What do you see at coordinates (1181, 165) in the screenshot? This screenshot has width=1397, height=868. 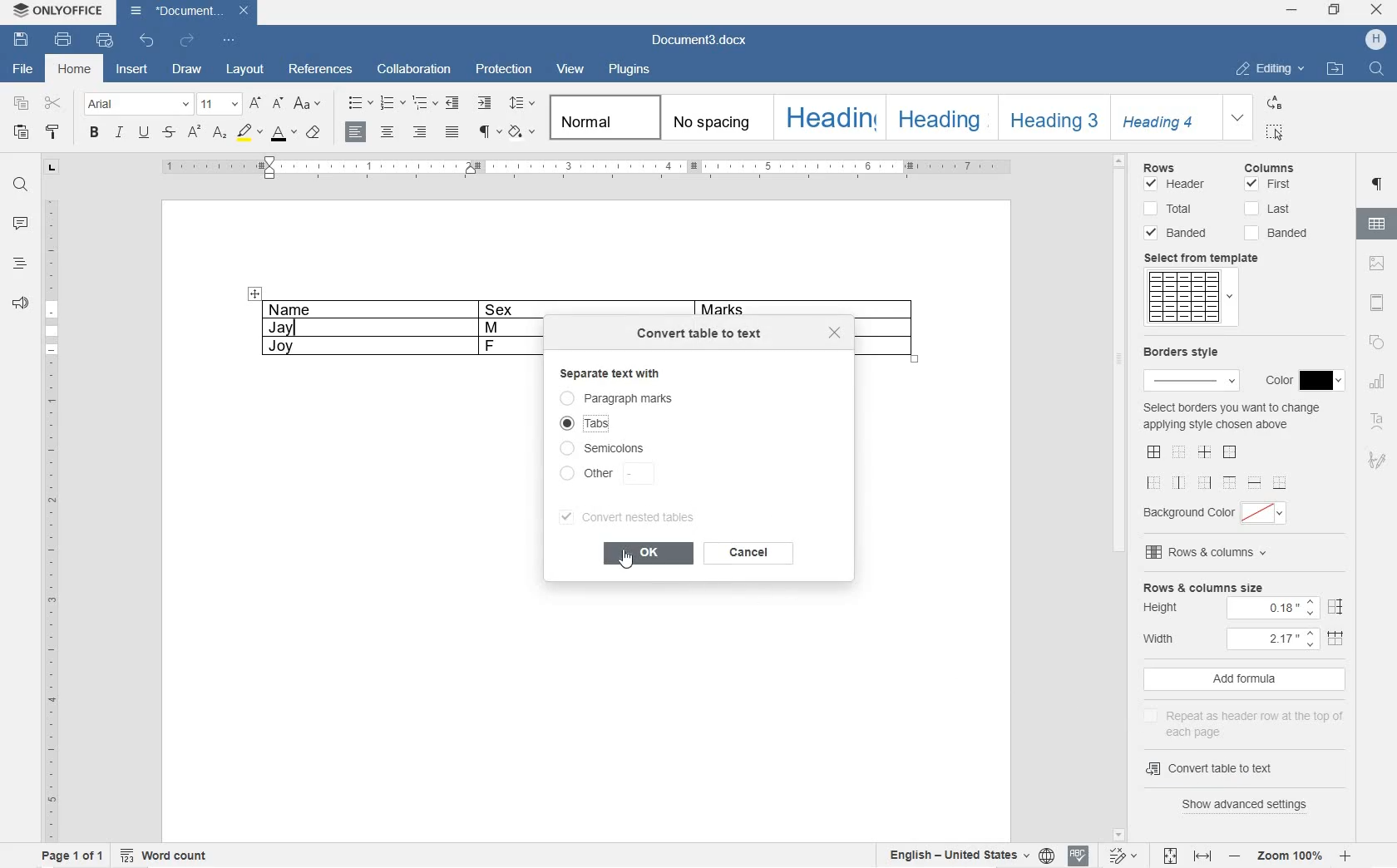 I see `rows settings` at bounding box center [1181, 165].